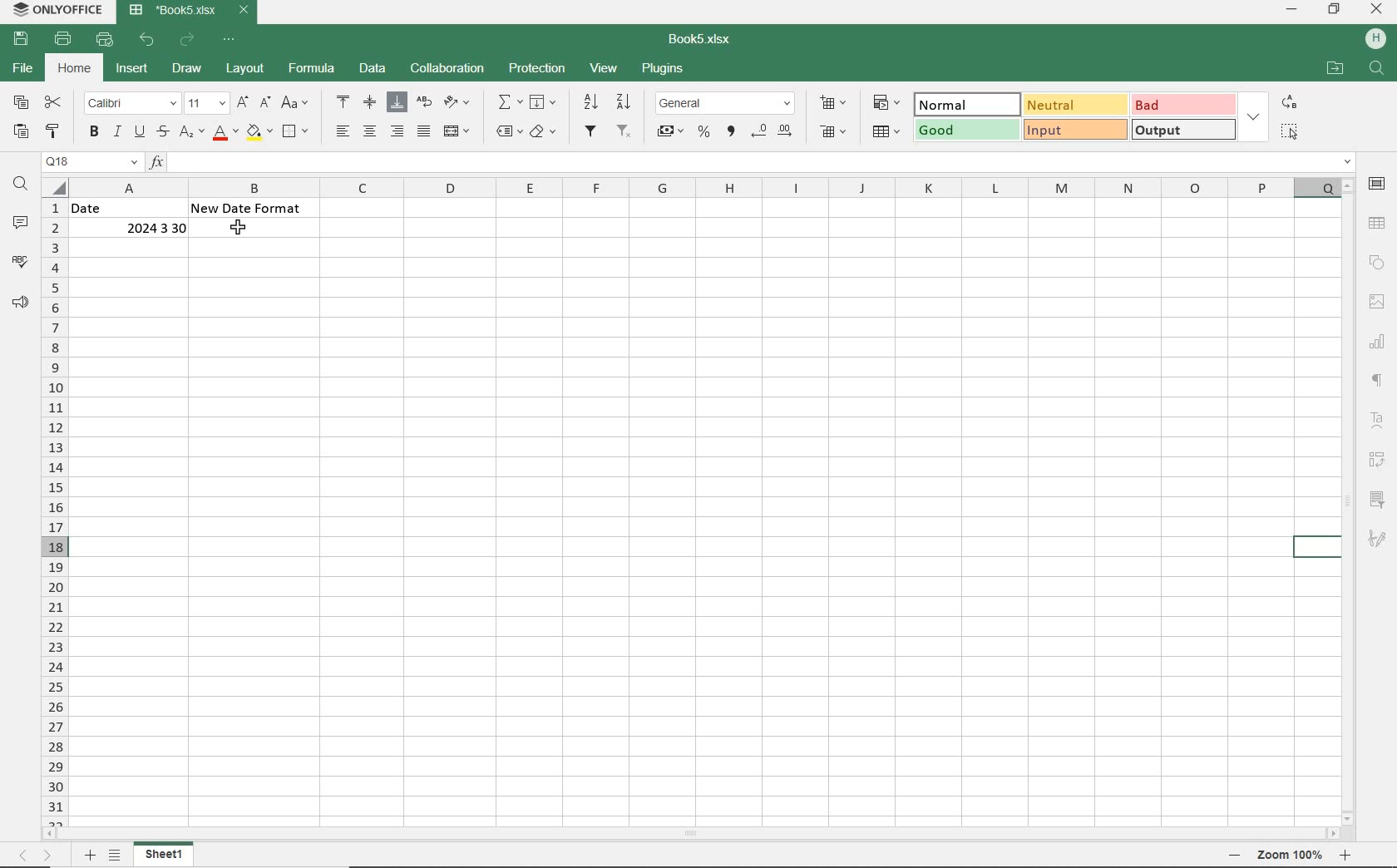 The width and height of the screenshot is (1397, 868). I want to click on INSERT CELLS, so click(833, 104).